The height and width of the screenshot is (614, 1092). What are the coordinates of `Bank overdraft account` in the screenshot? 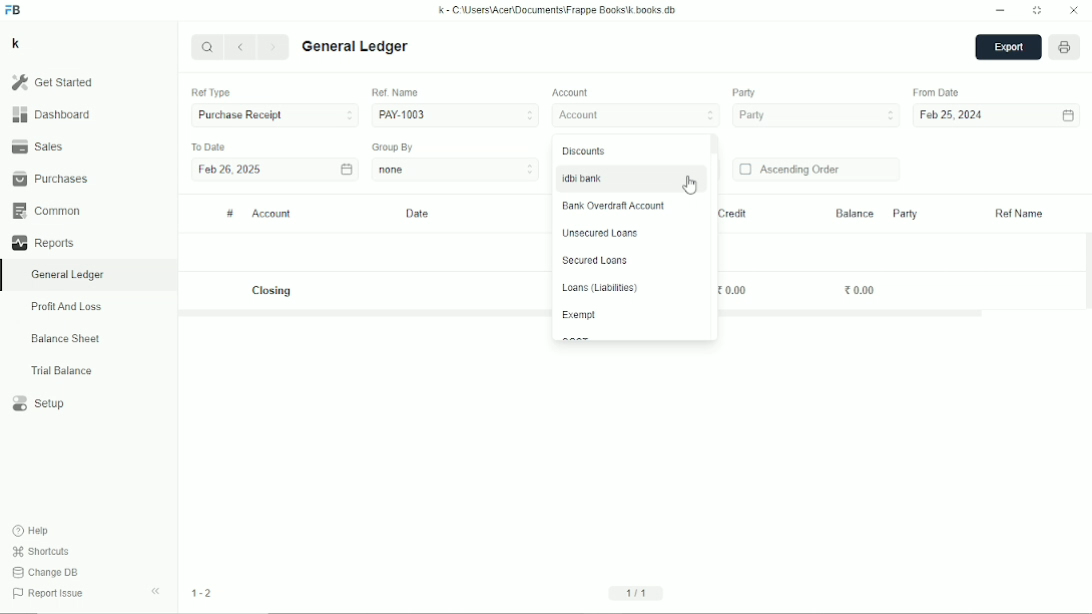 It's located at (616, 206).